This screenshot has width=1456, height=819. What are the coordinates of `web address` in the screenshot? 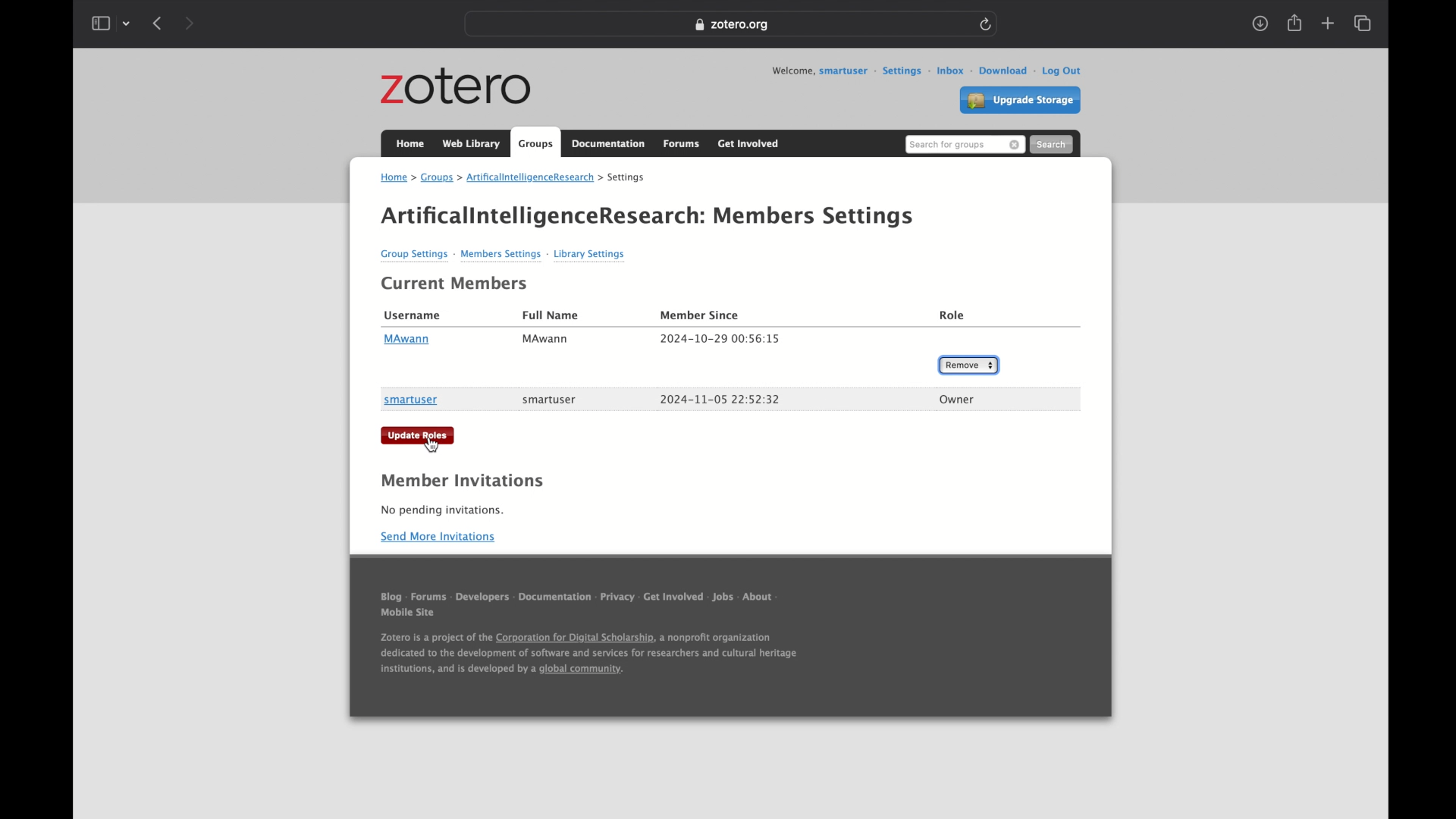 It's located at (730, 25).